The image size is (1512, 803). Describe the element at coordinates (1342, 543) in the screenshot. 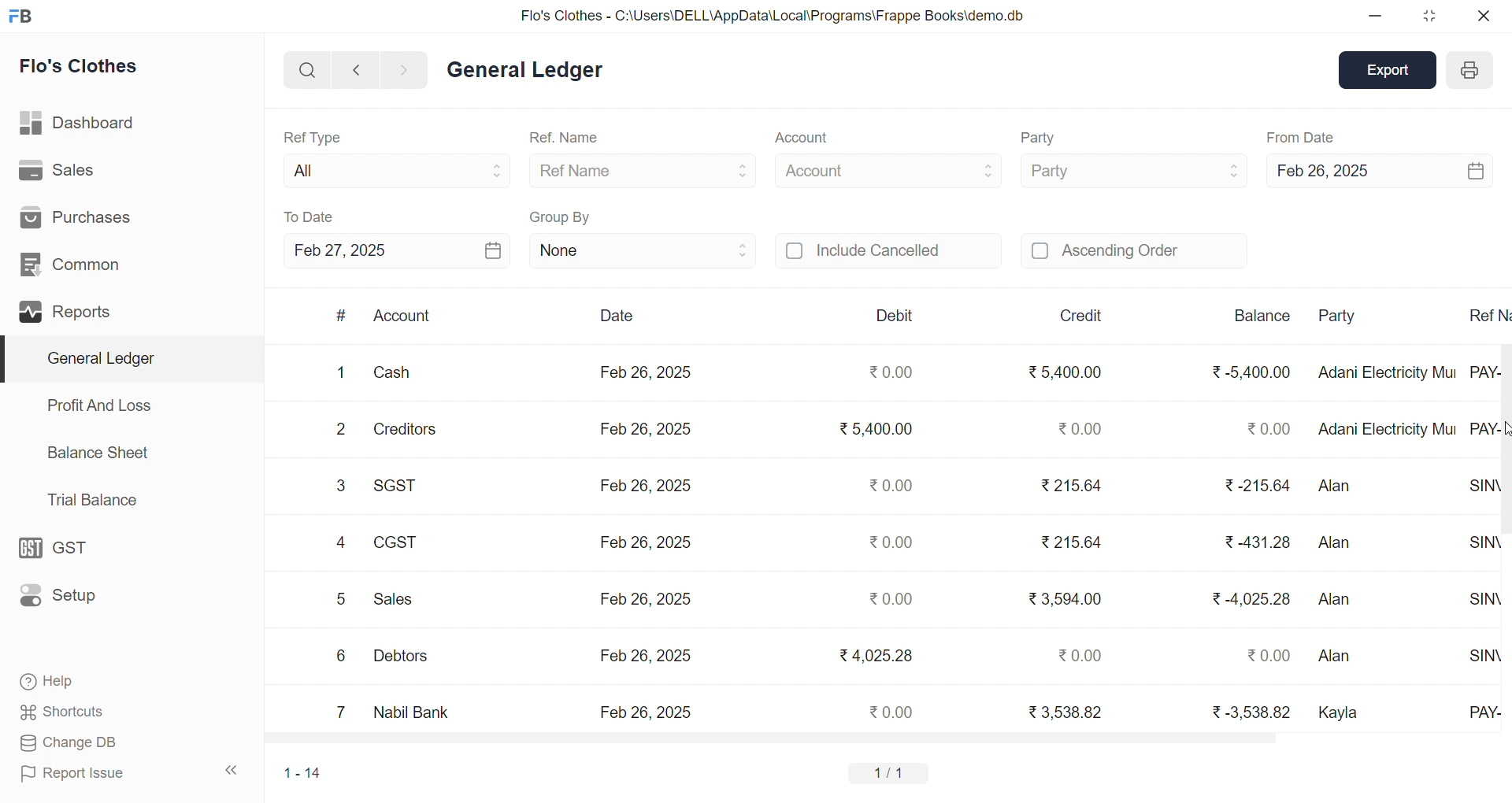

I see `Alan` at that location.